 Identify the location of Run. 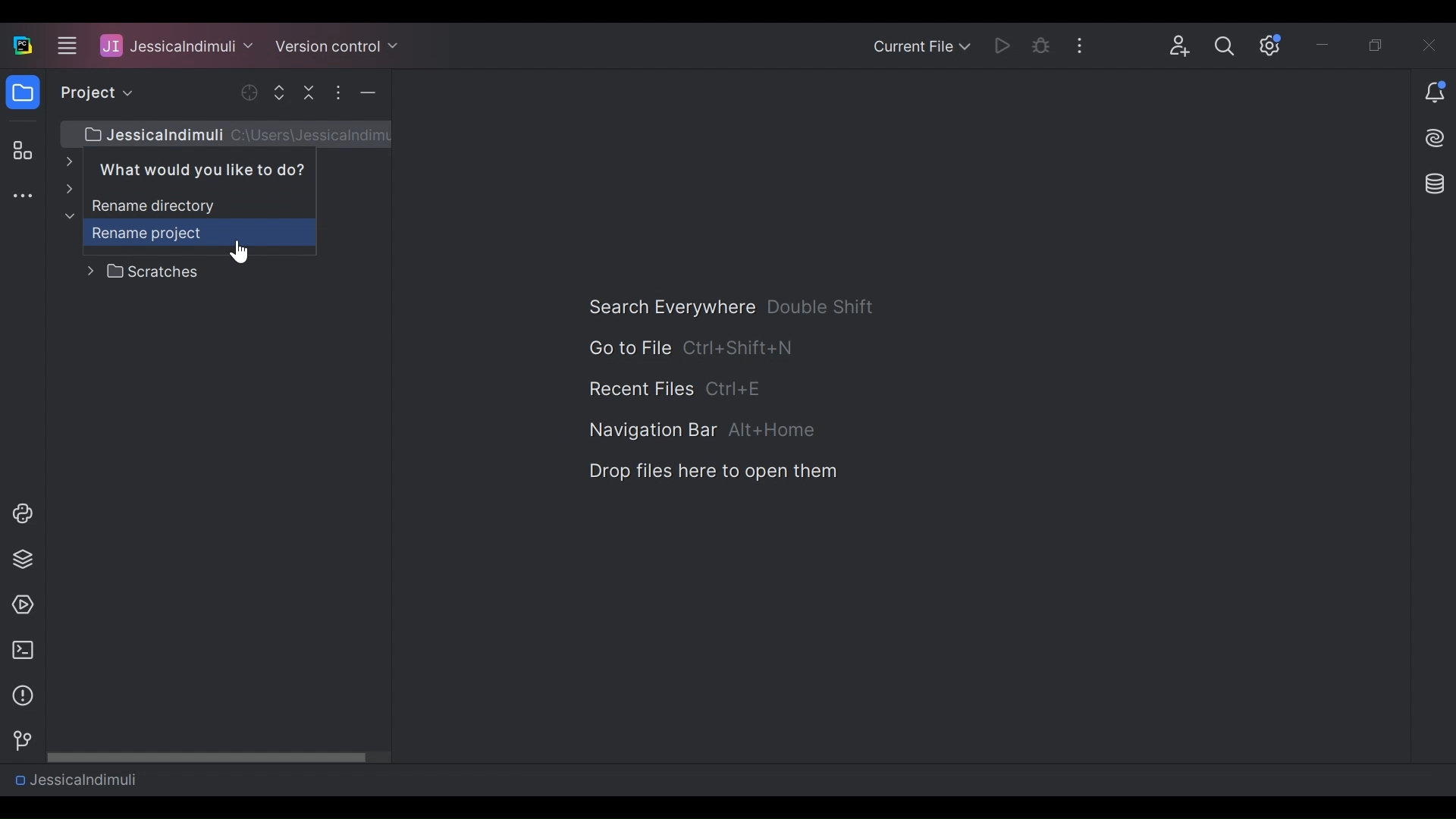
(1005, 45).